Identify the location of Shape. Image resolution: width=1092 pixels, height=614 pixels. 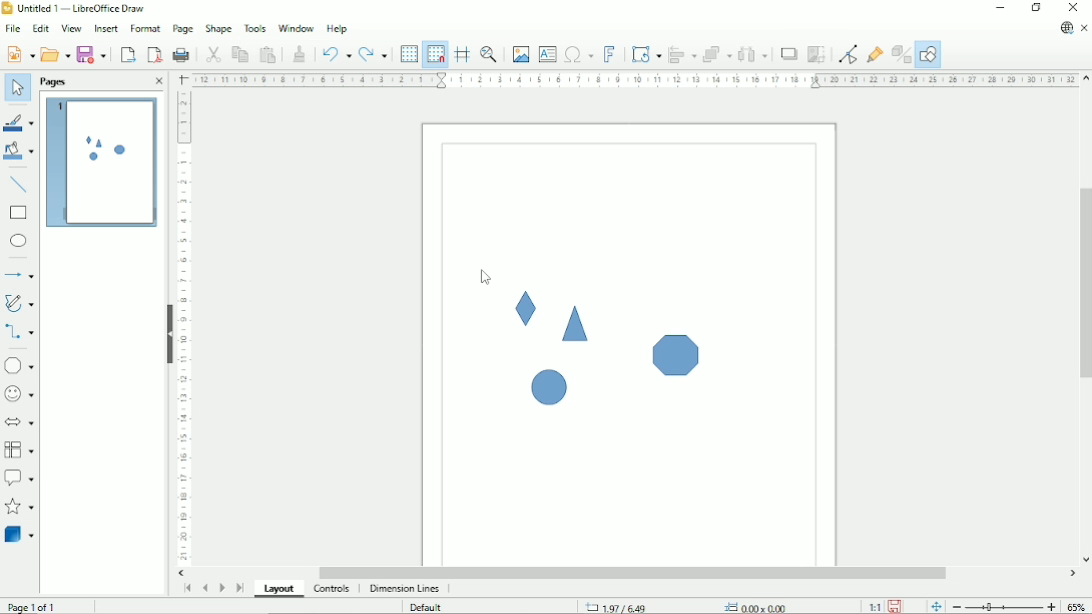
(575, 325).